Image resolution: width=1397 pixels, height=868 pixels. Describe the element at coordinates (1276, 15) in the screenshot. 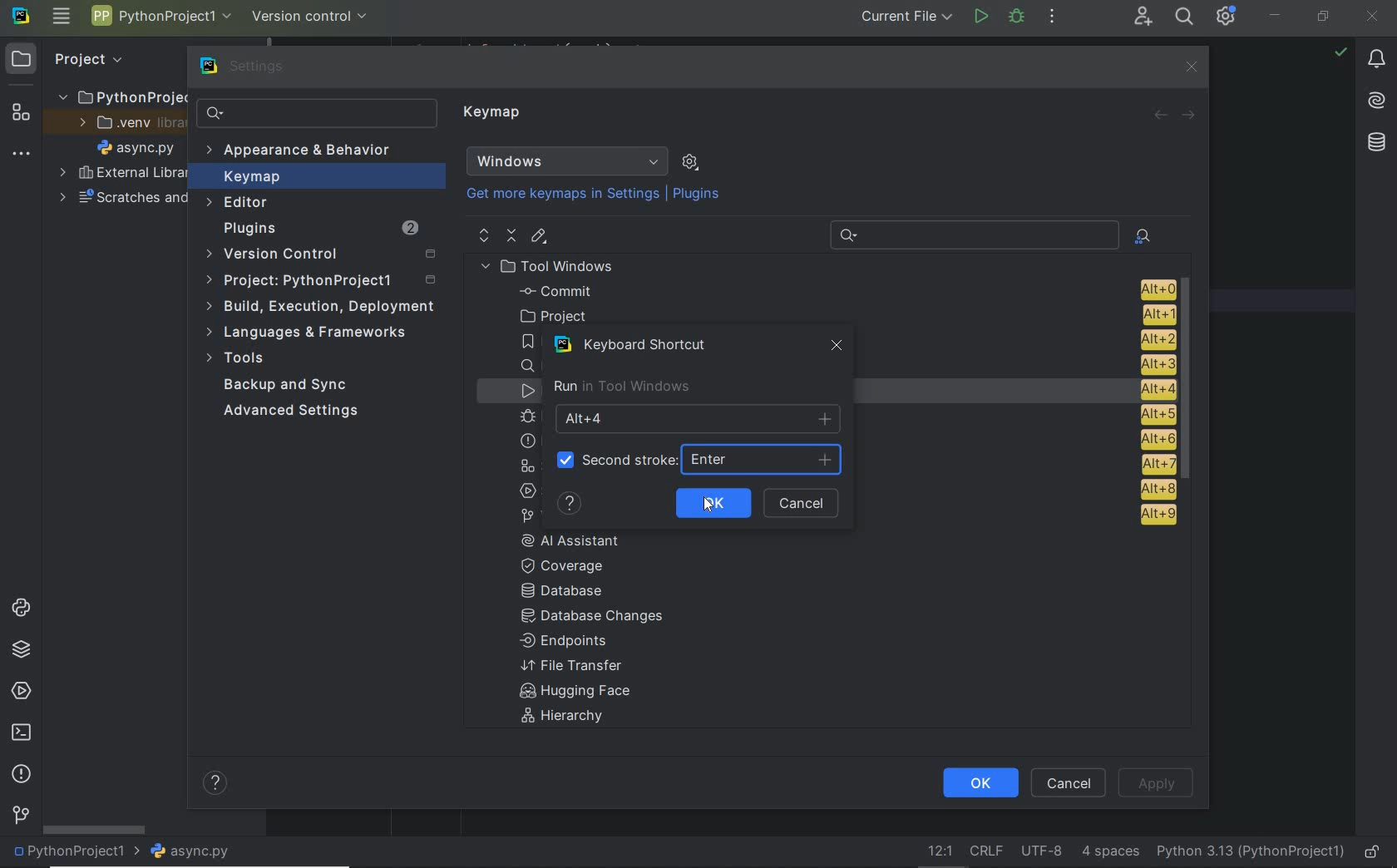

I see `minimize` at that location.